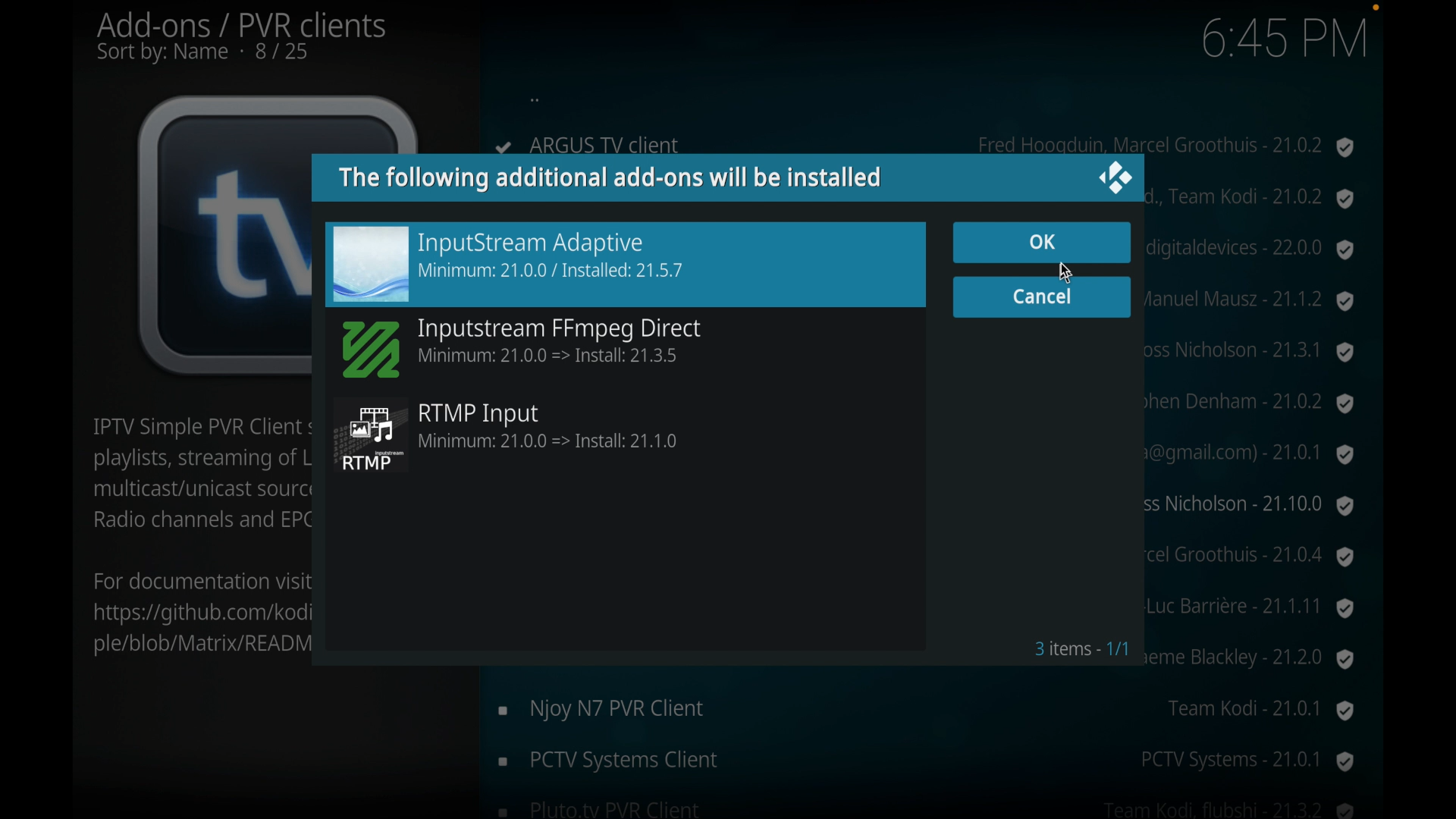 The image size is (1456, 819). Describe the element at coordinates (509, 435) in the screenshot. I see `rtmp input` at that location.